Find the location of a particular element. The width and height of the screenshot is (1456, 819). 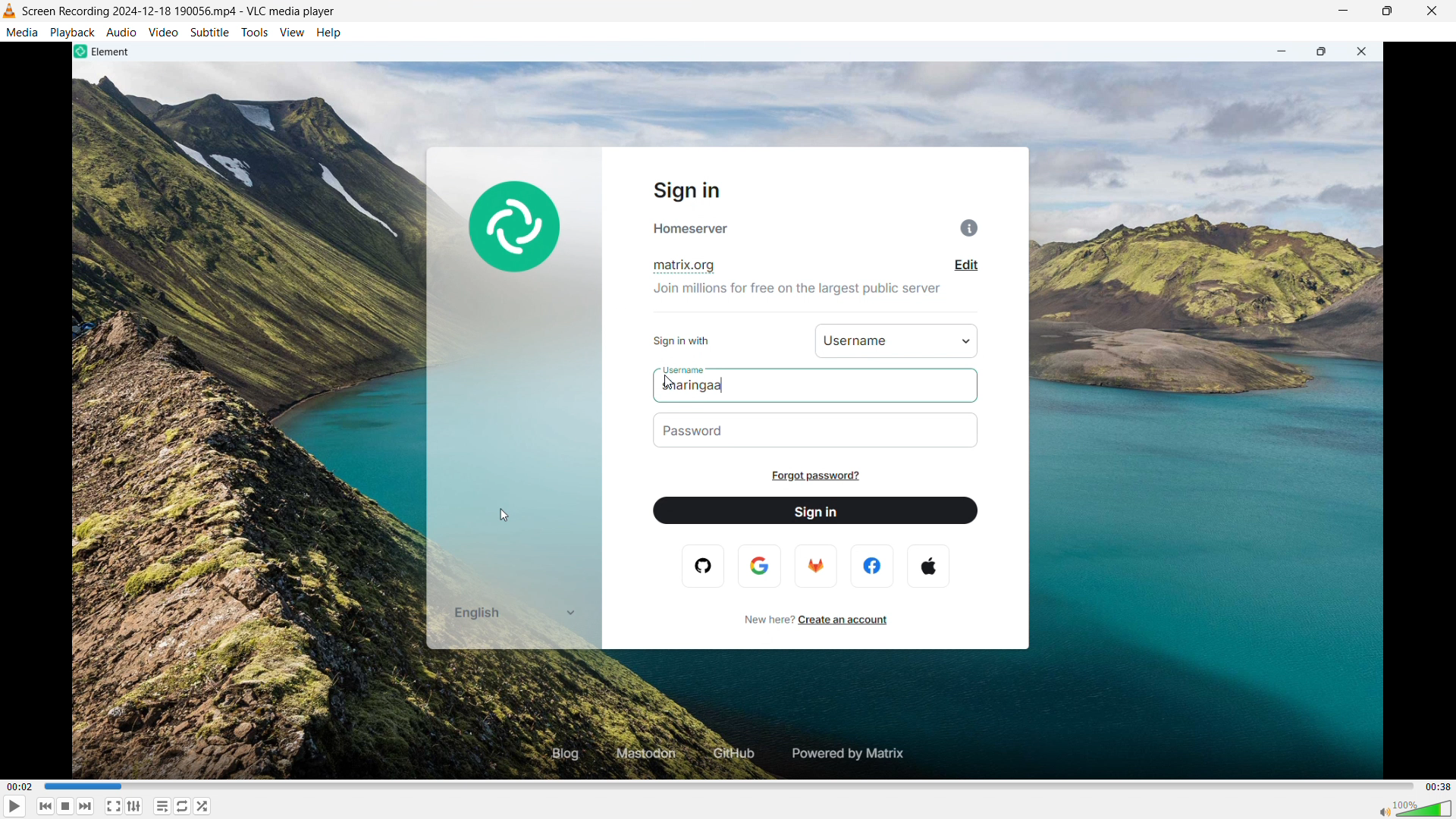

username is located at coordinates (686, 369).